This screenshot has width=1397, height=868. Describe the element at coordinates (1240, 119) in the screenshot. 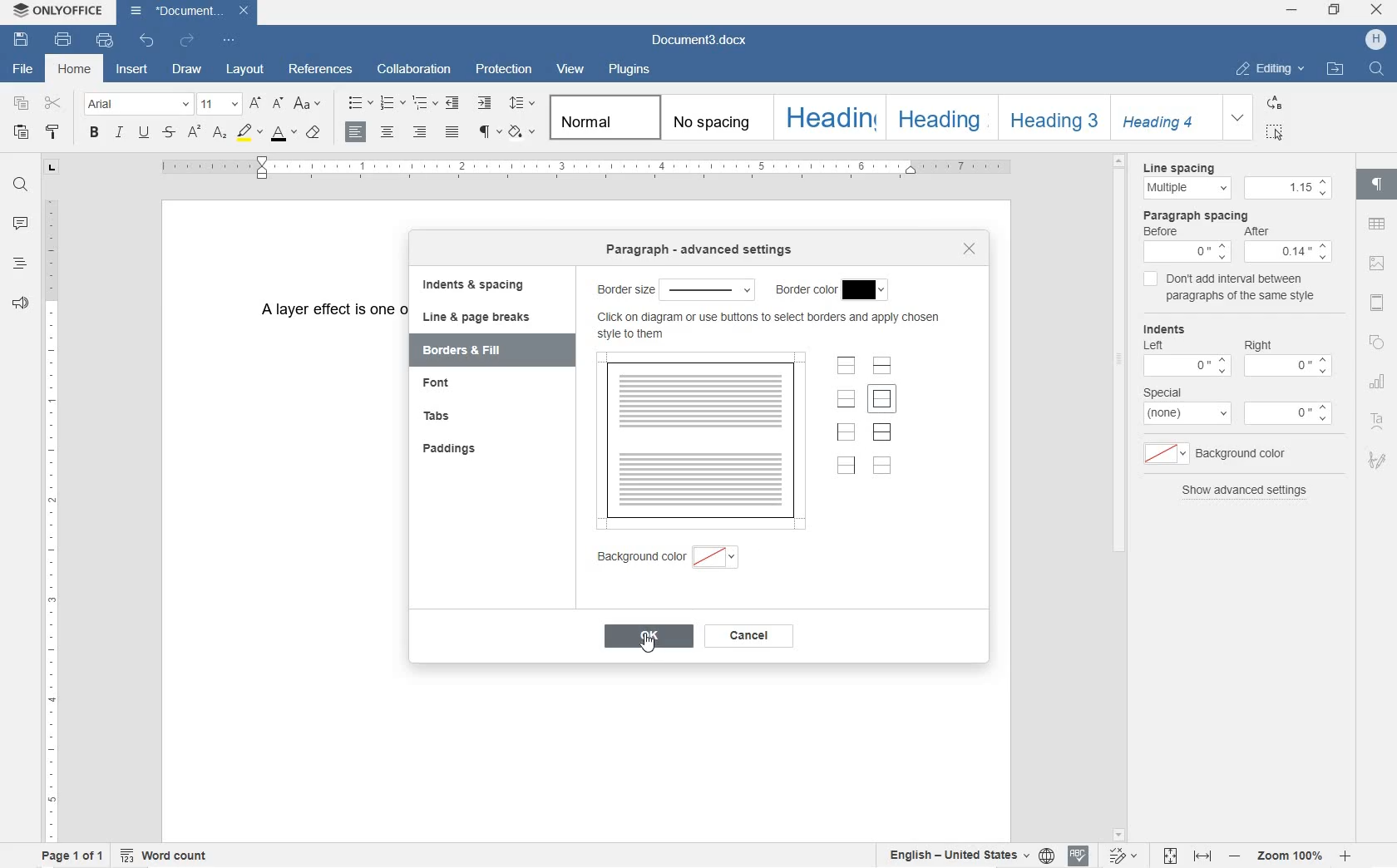

I see `EXPAND FORMATTING STYLE` at that location.